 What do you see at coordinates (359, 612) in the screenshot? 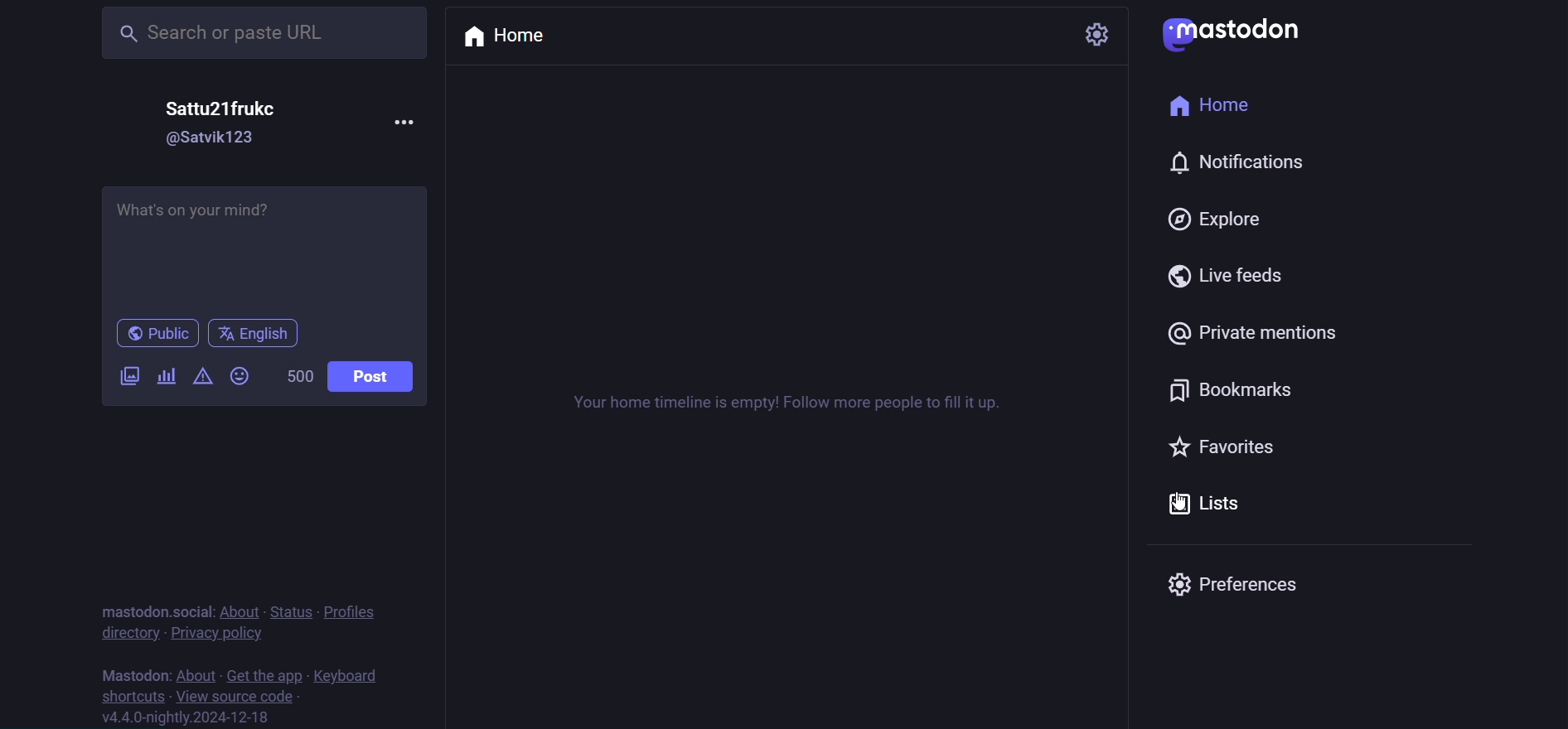
I see `profiles` at bounding box center [359, 612].